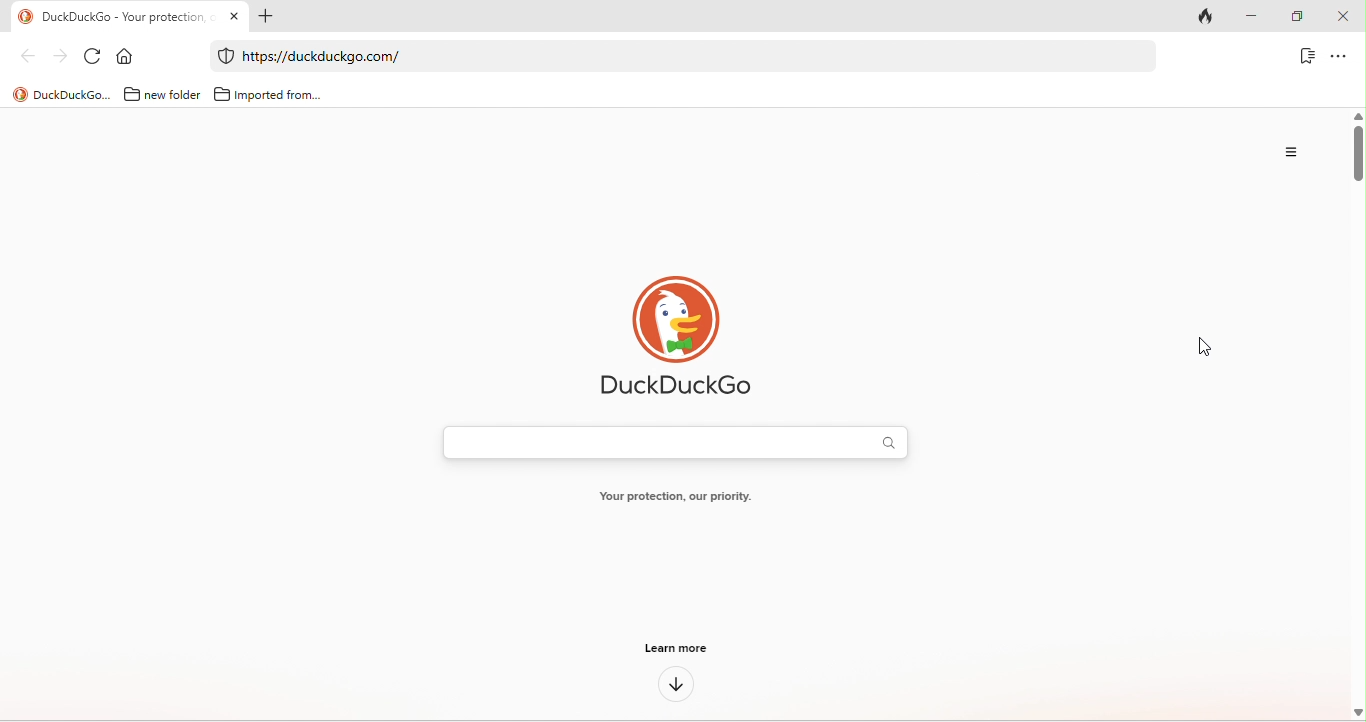 This screenshot has width=1366, height=722. What do you see at coordinates (122, 15) in the screenshot?
I see `Duckduckgo-your protection` at bounding box center [122, 15].